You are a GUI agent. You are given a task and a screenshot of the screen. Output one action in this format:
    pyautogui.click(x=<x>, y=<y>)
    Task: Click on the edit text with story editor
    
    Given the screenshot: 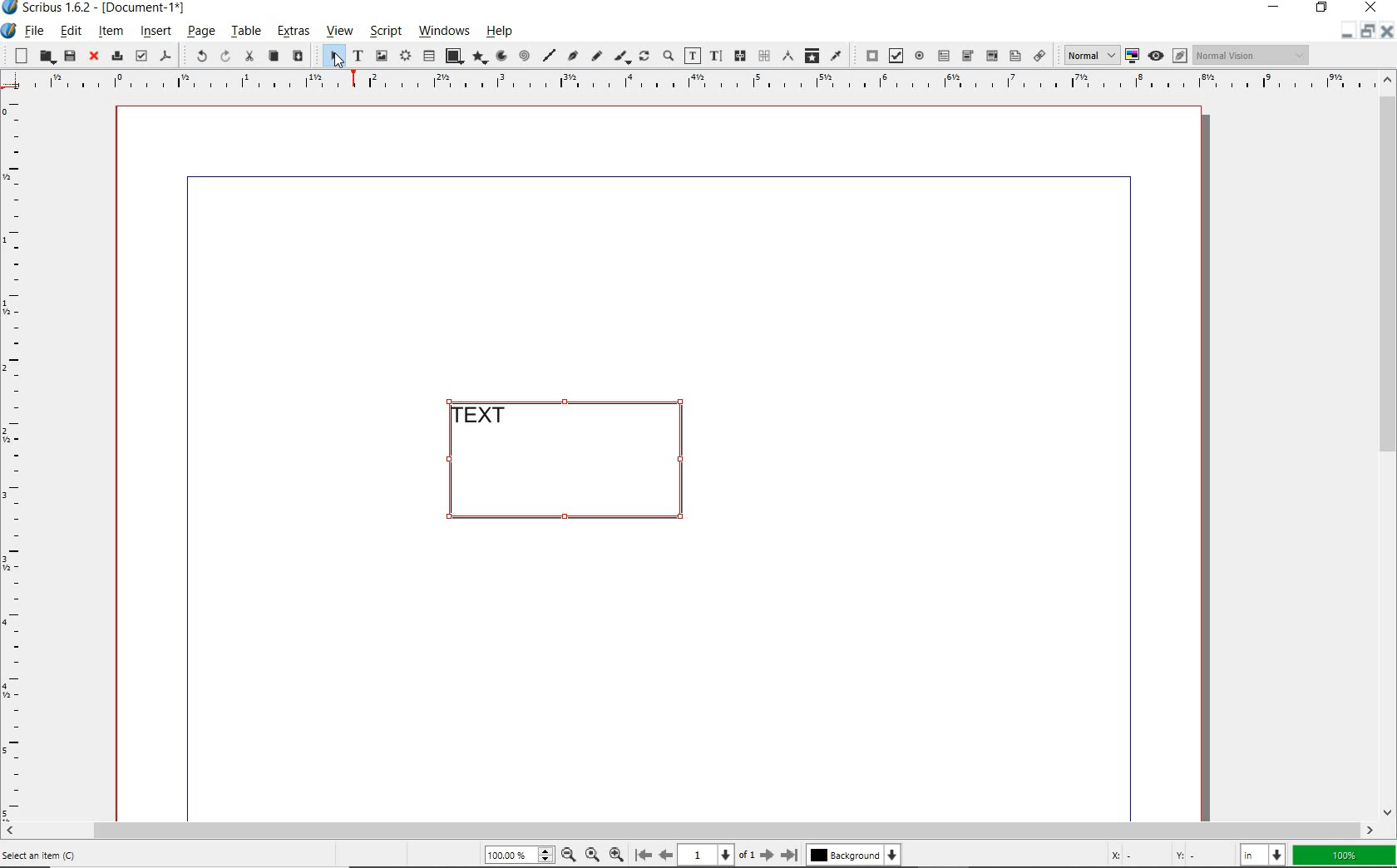 What is the action you would take?
    pyautogui.click(x=715, y=57)
    